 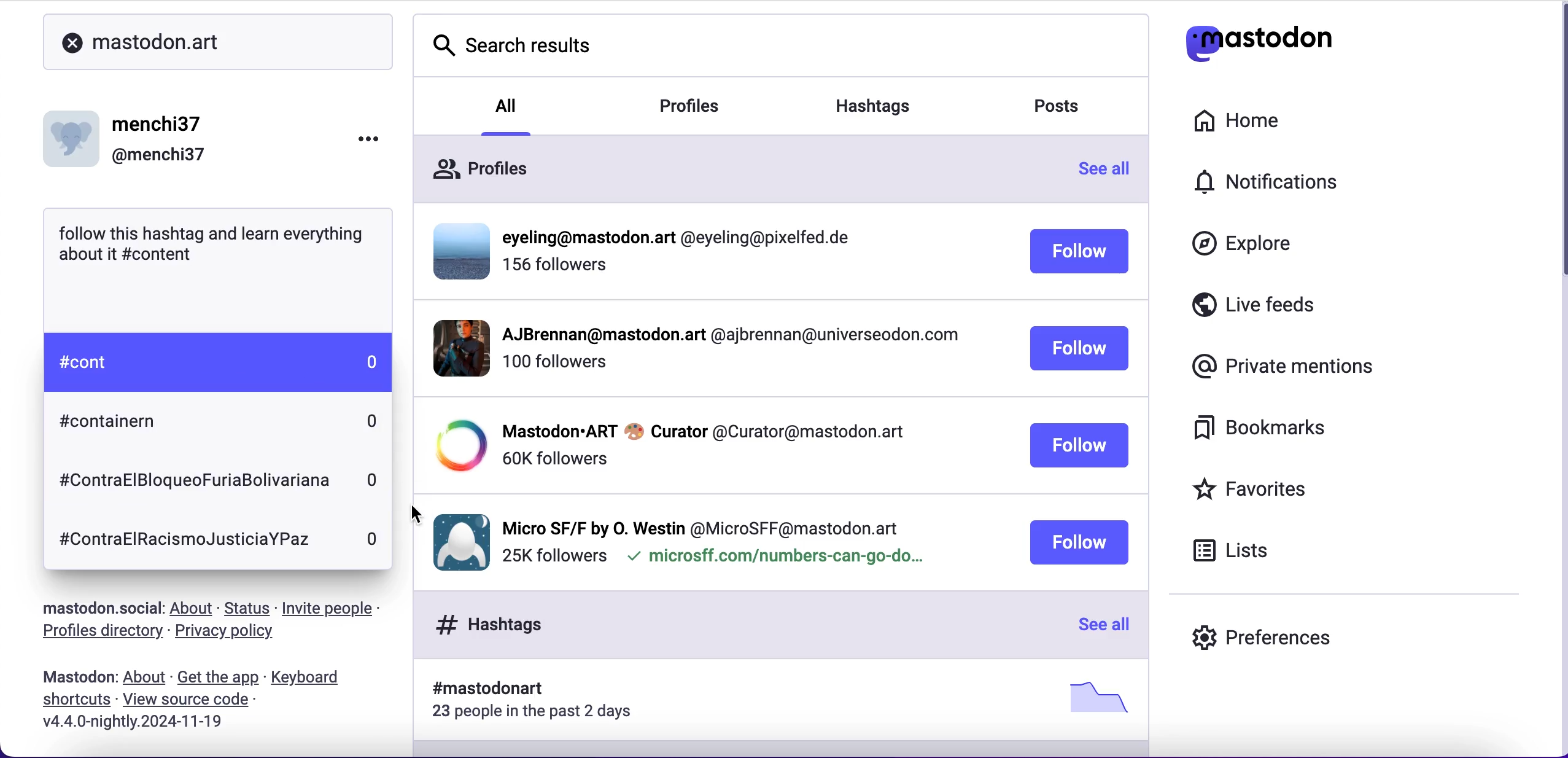 What do you see at coordinates (1079, 253) in the screenshot?
I see `follow` at bounding box center [1079, 253].